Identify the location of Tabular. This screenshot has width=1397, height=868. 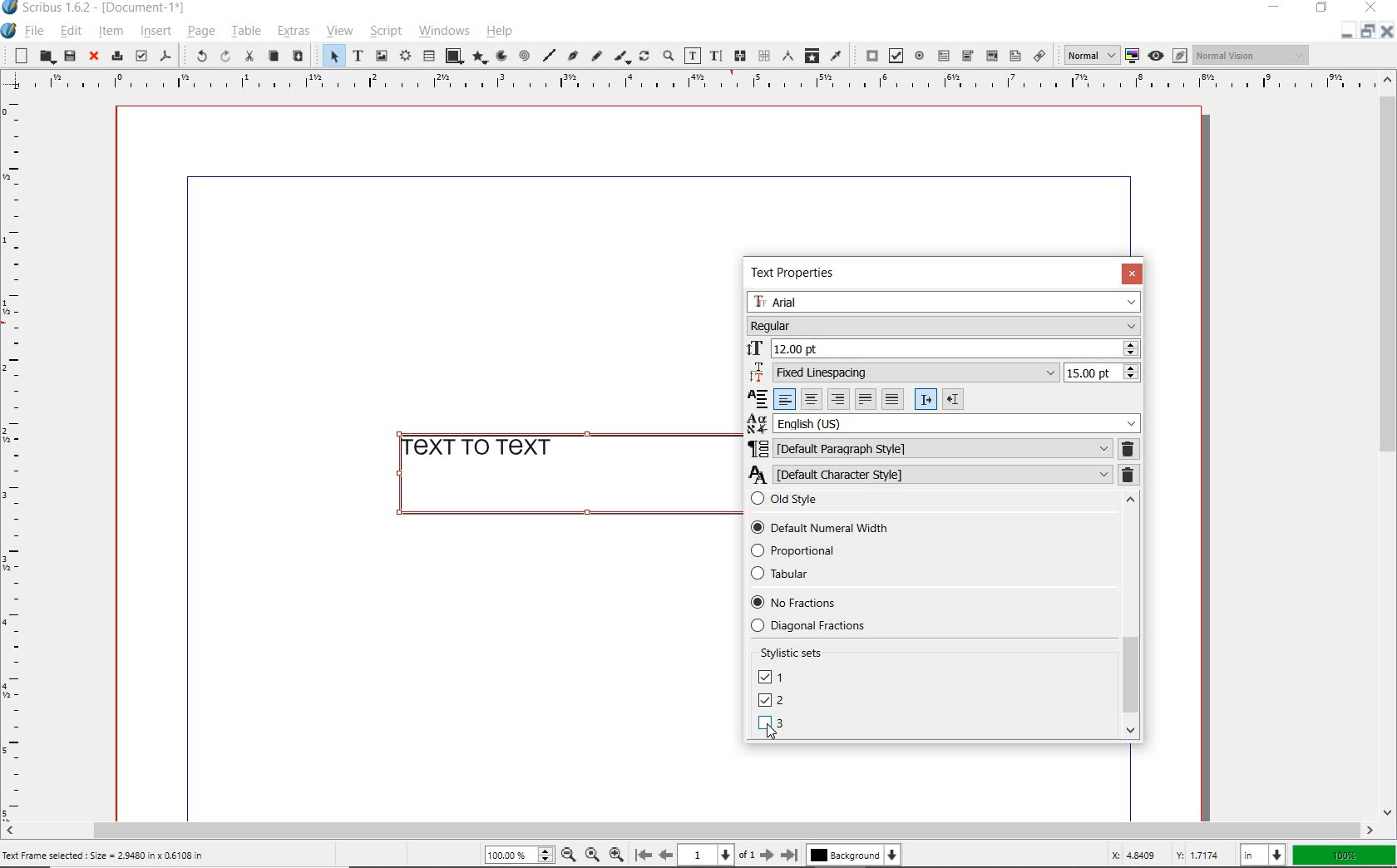
(802, 574).